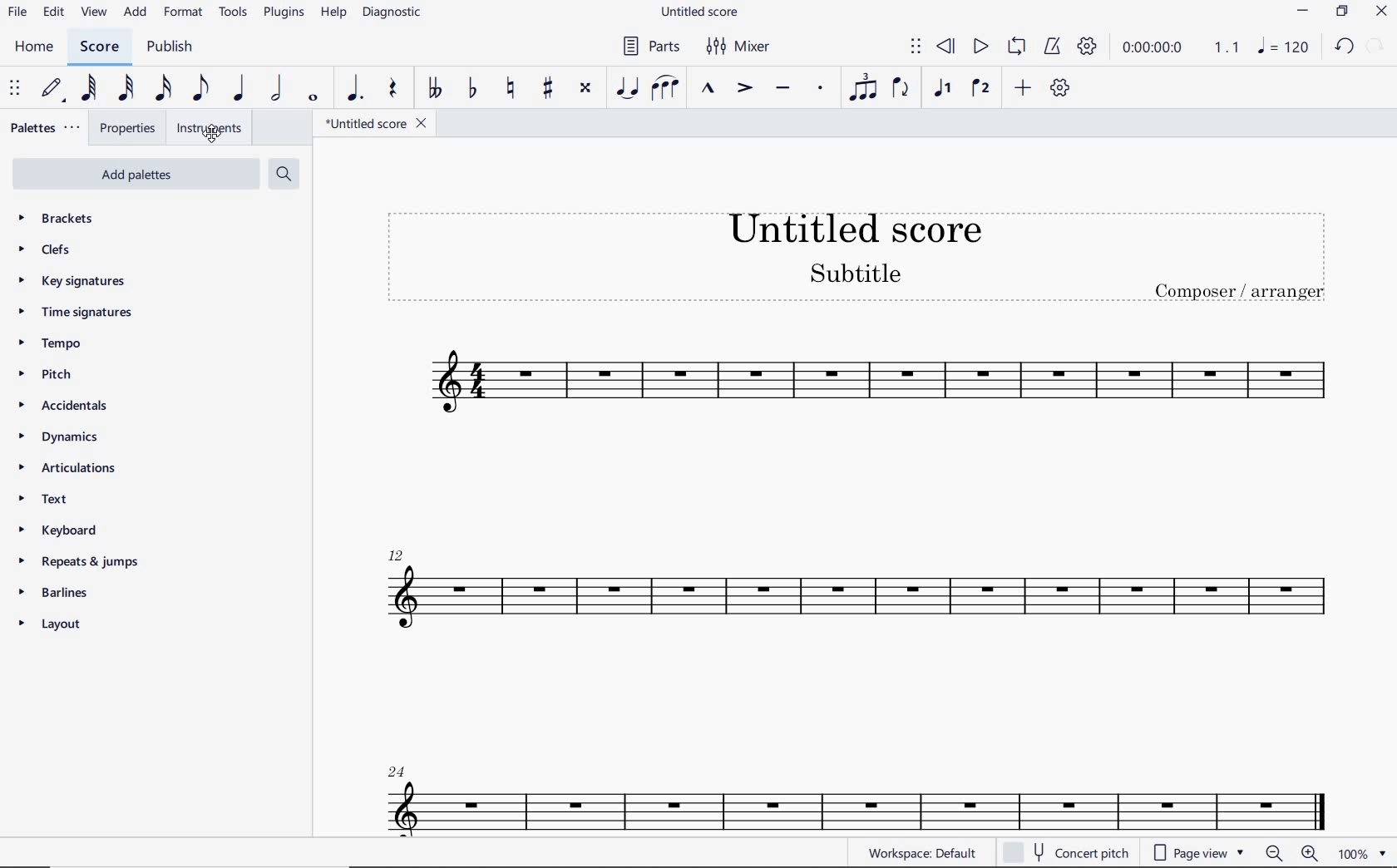 The image size is (1397, 868). What do you see at coordinates (628, 89) in the screenshot?
I see `TIE` at bounding box center [628, 89].